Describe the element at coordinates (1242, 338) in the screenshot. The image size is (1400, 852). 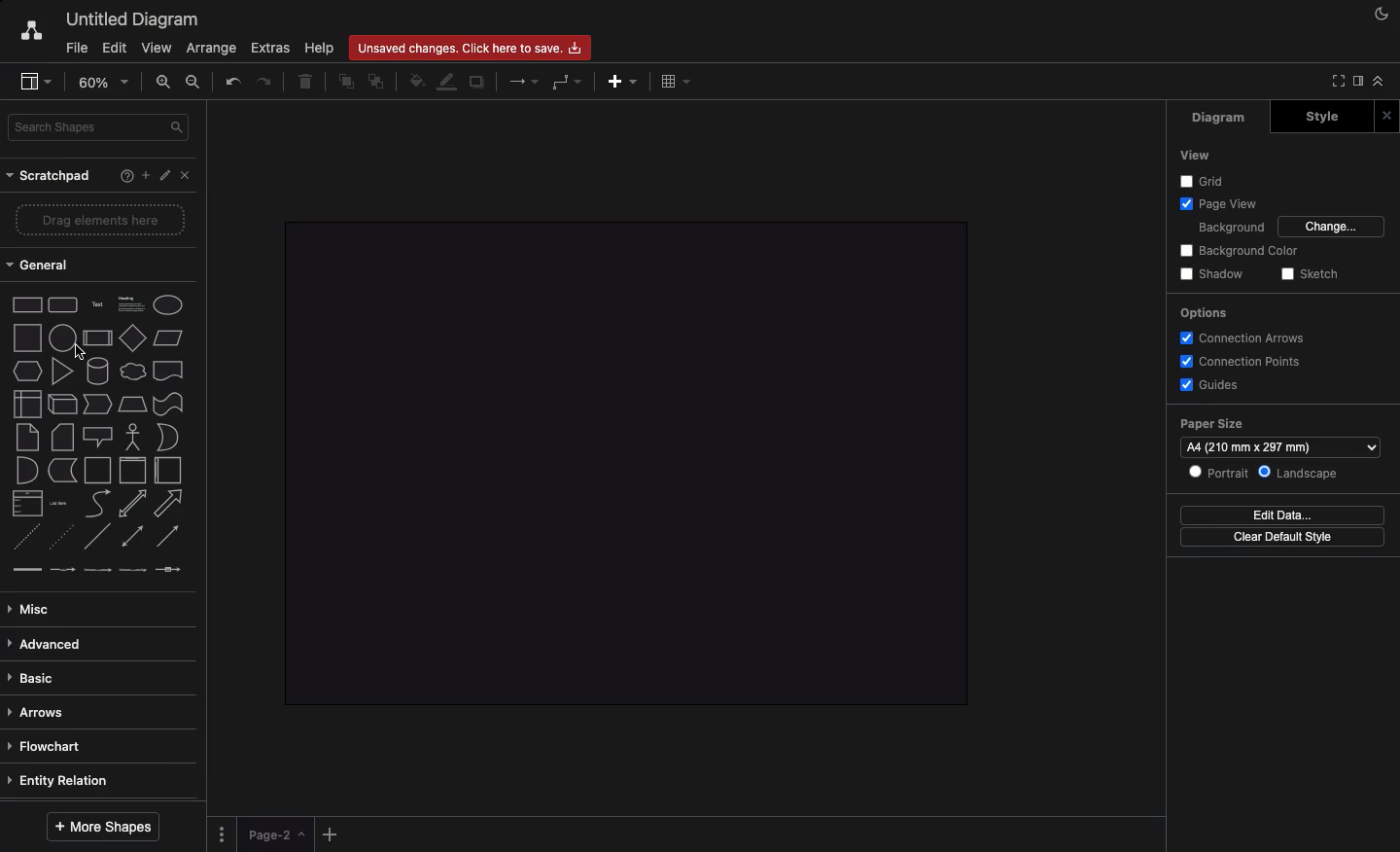
I see `Connection arrows` at that location.